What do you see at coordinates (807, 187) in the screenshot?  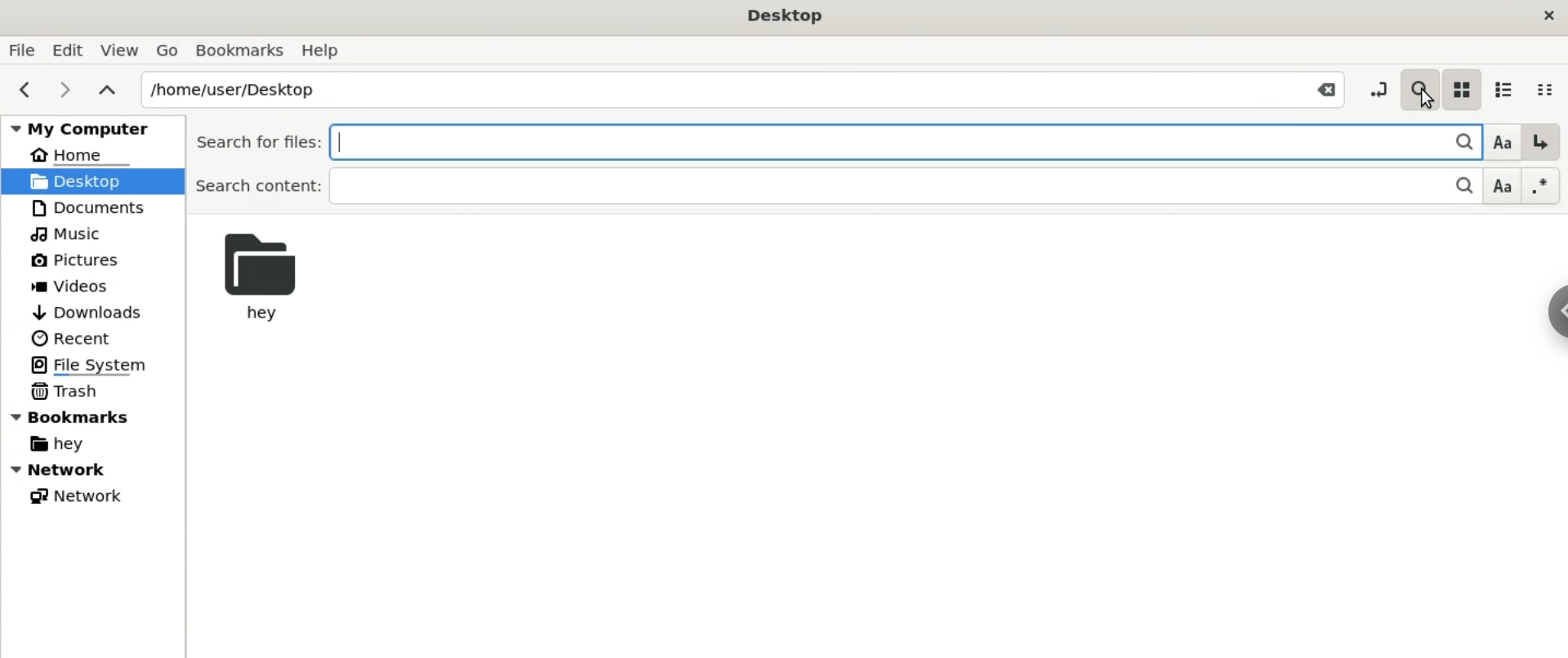 I see `Search Content` at bounding box center [807, 187].